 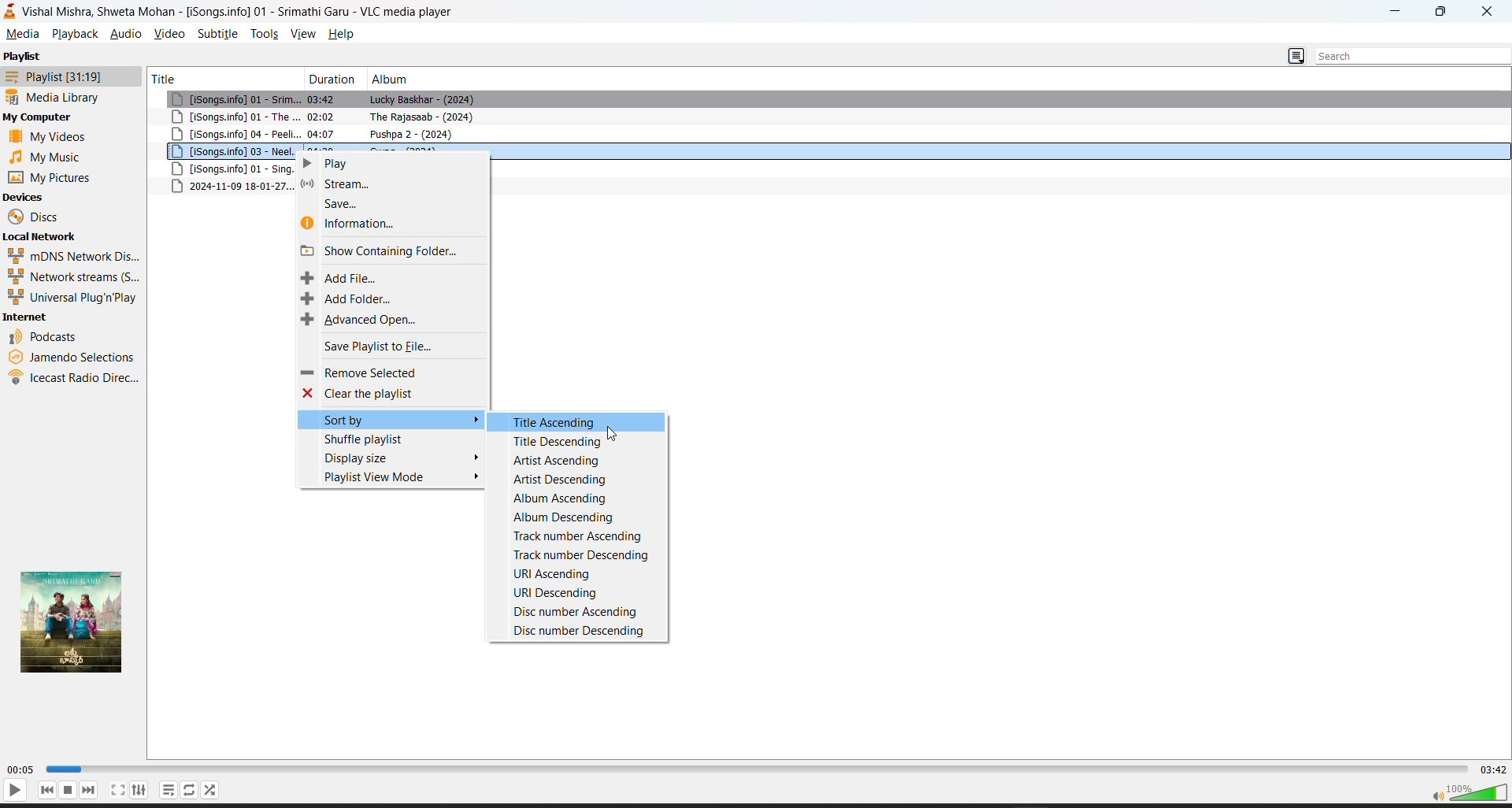 I want to click on cursor, so click(x=610, y=433).